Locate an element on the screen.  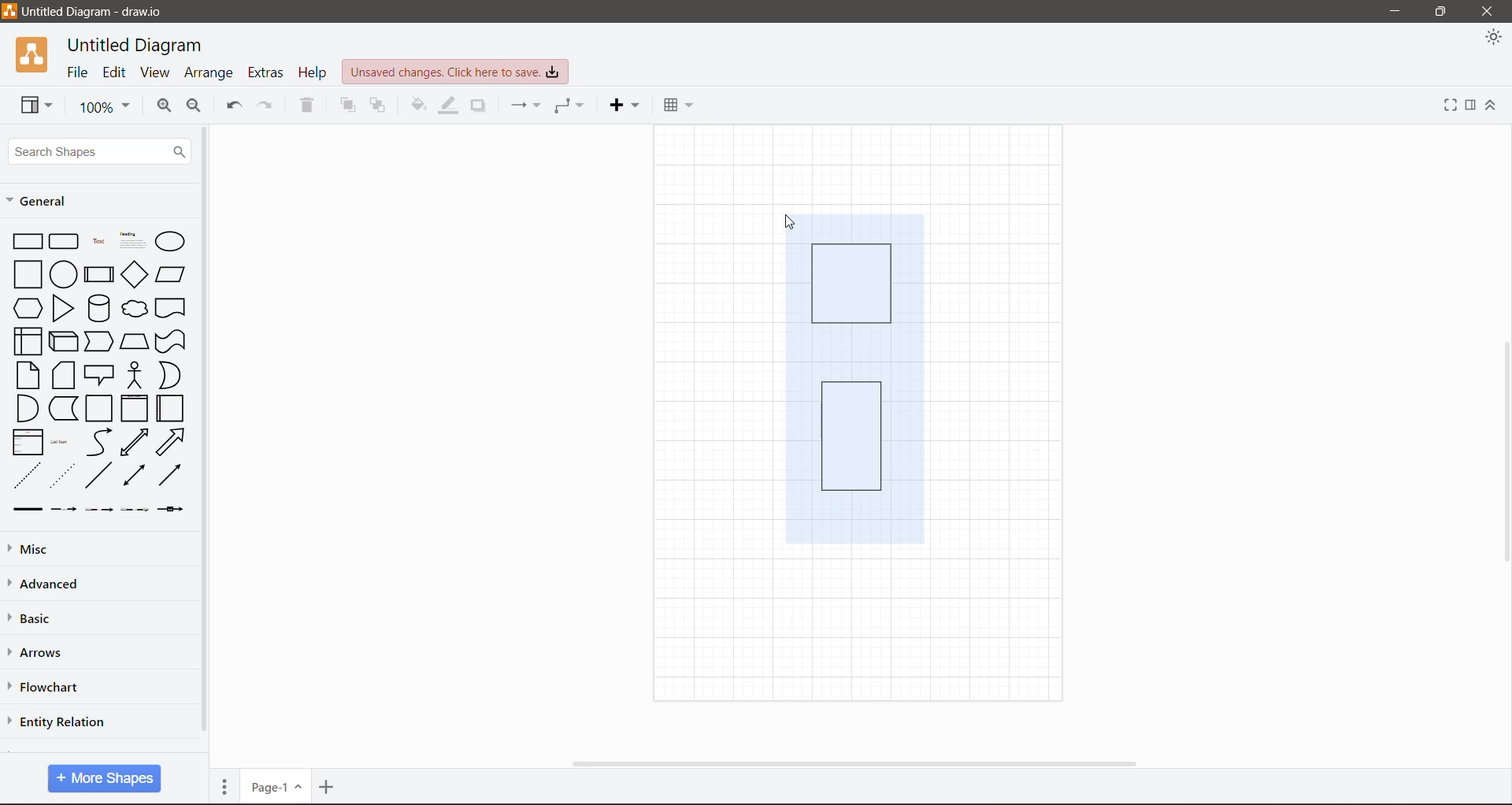
Misc is located at coordinates (34, 551).